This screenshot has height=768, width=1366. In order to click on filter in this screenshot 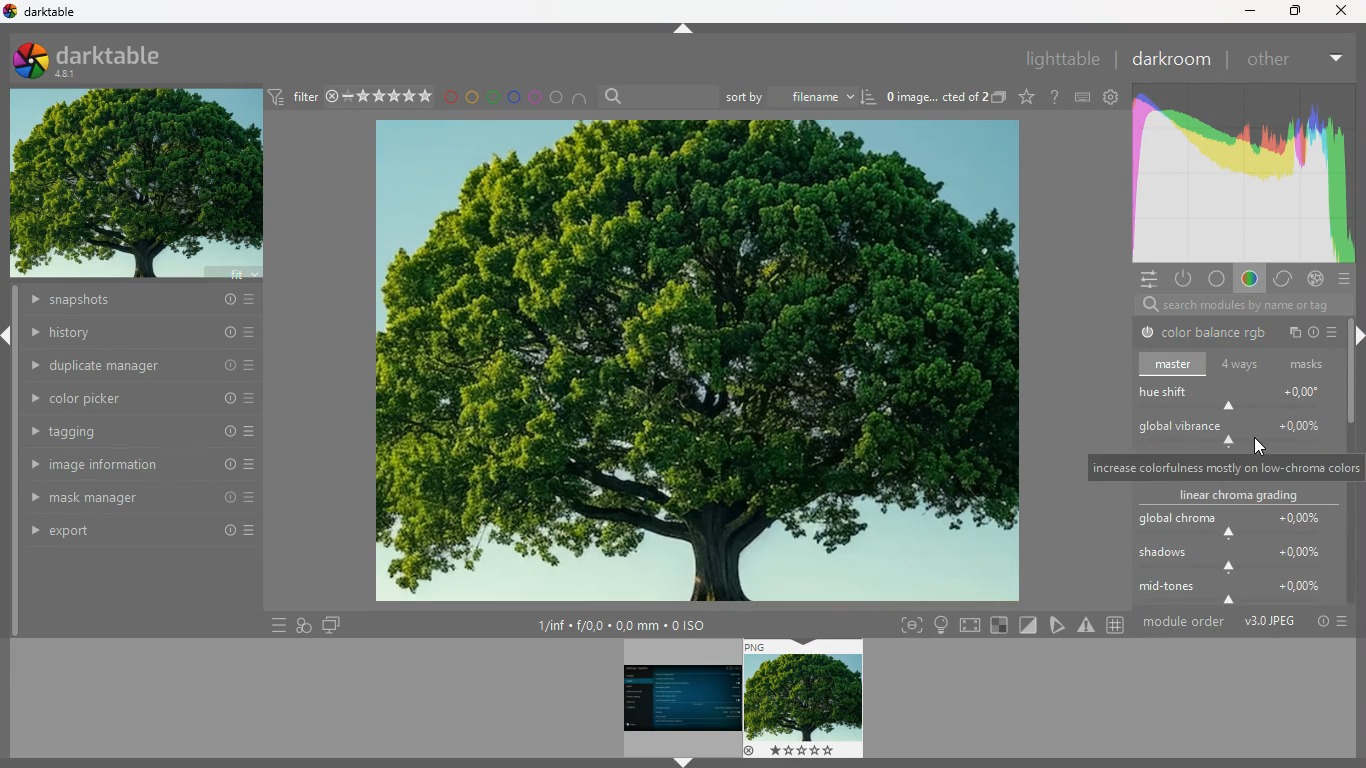, I will do `click(349, 96)`.